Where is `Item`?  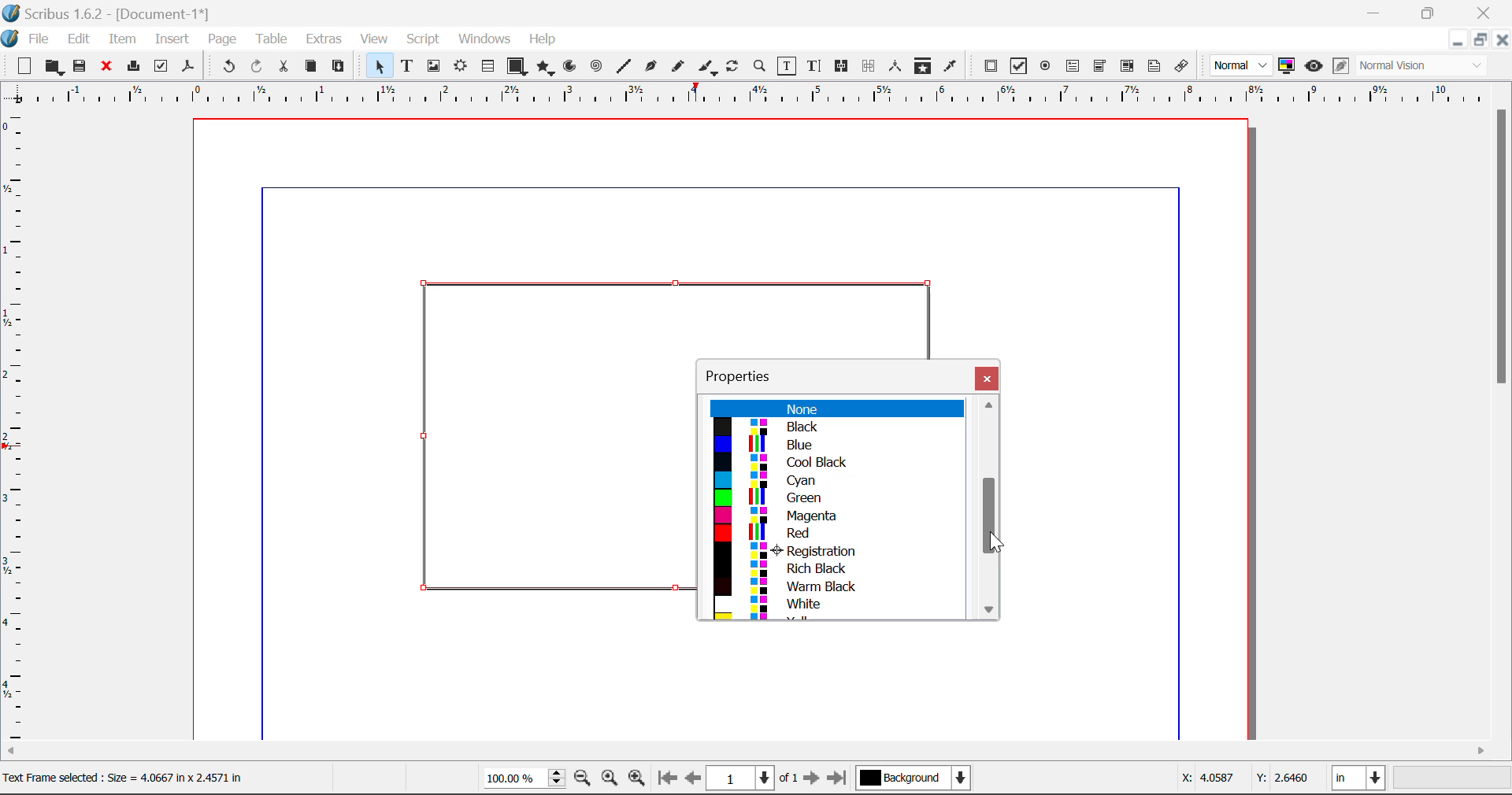
Item is located at coordinates (120, 37).